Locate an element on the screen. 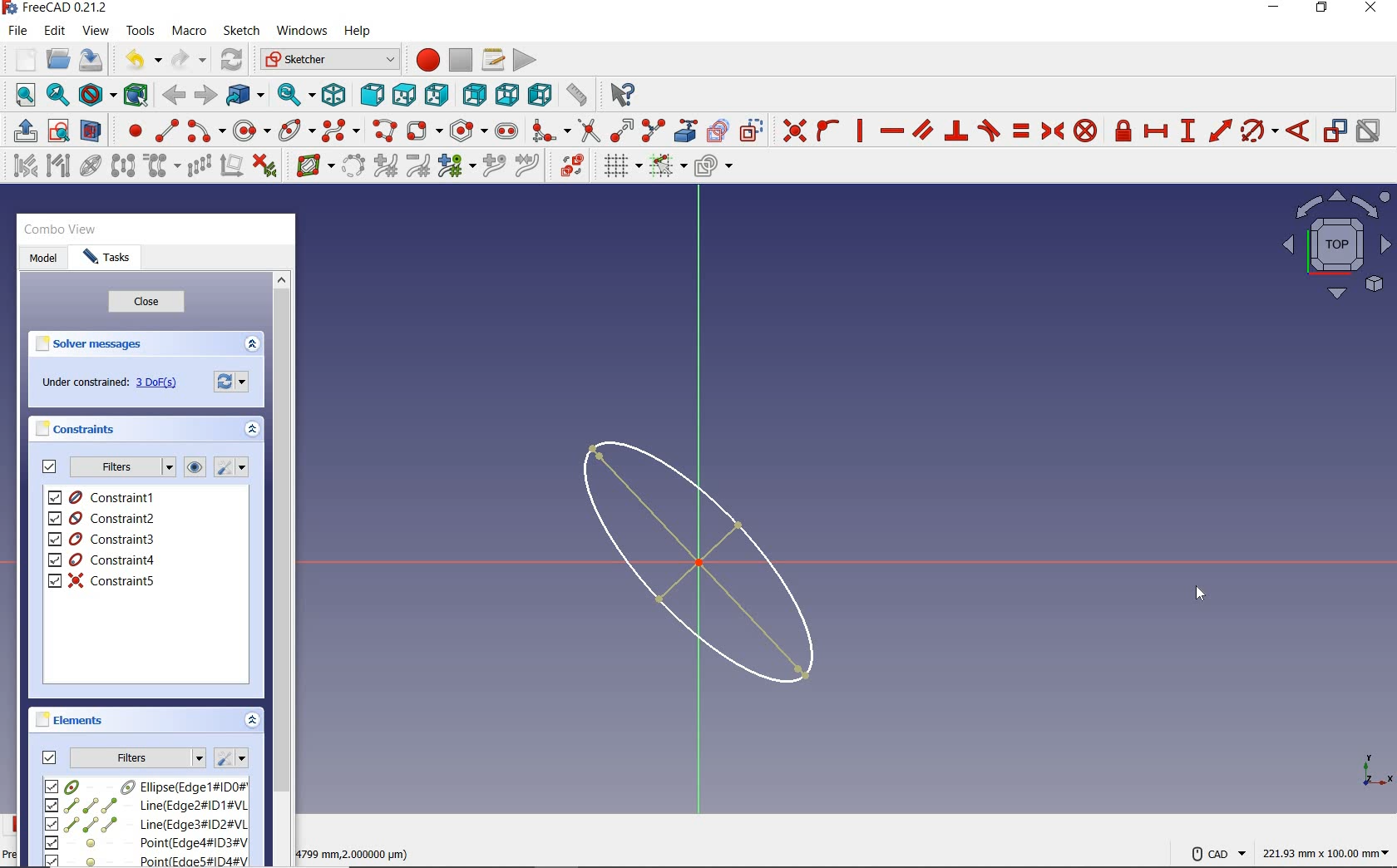 This screenshot has width=1397, height=868. select associated constraint is located at coordinates (21, 165).